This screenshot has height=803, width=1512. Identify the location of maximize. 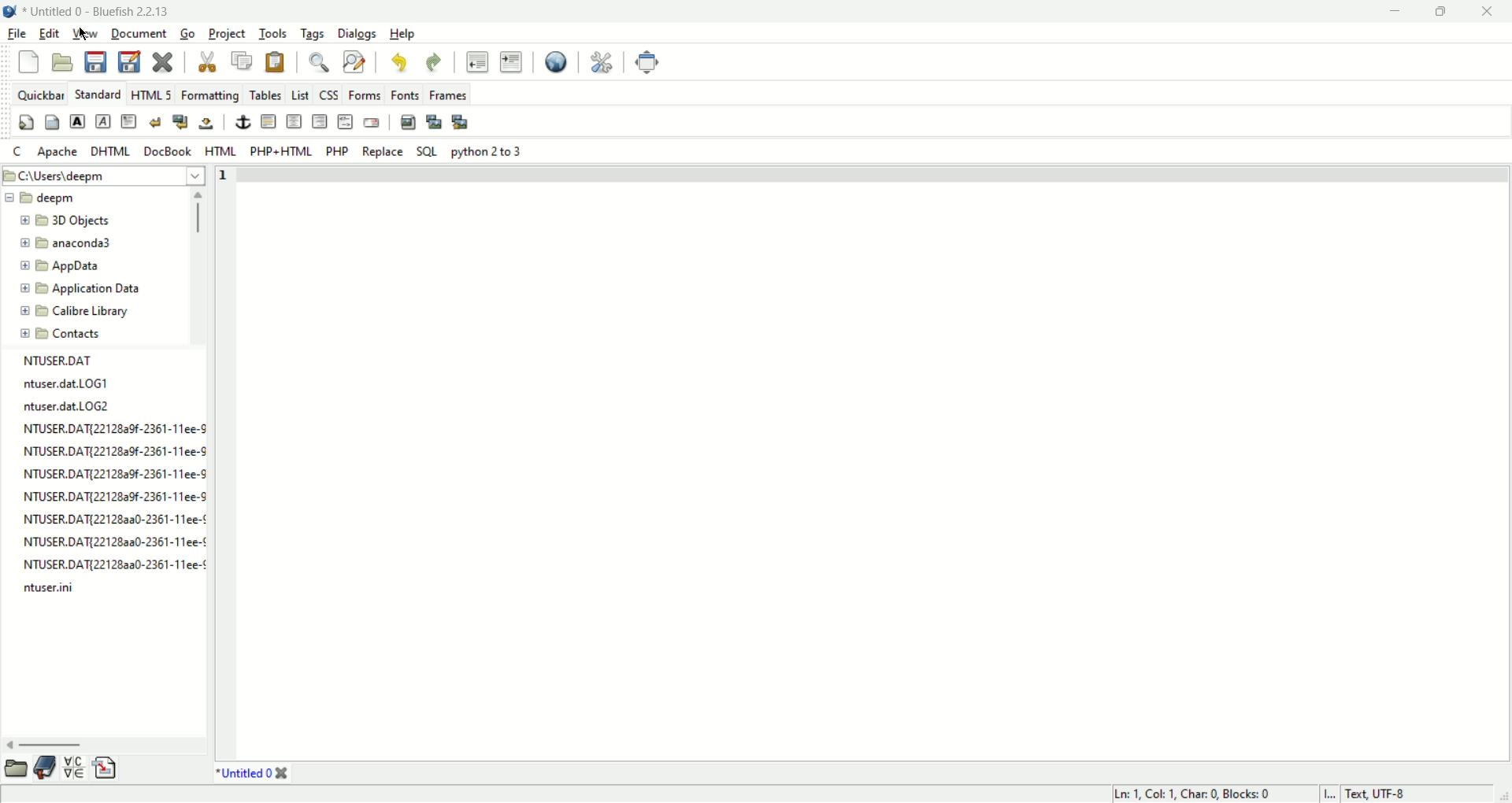
(1443, 12).